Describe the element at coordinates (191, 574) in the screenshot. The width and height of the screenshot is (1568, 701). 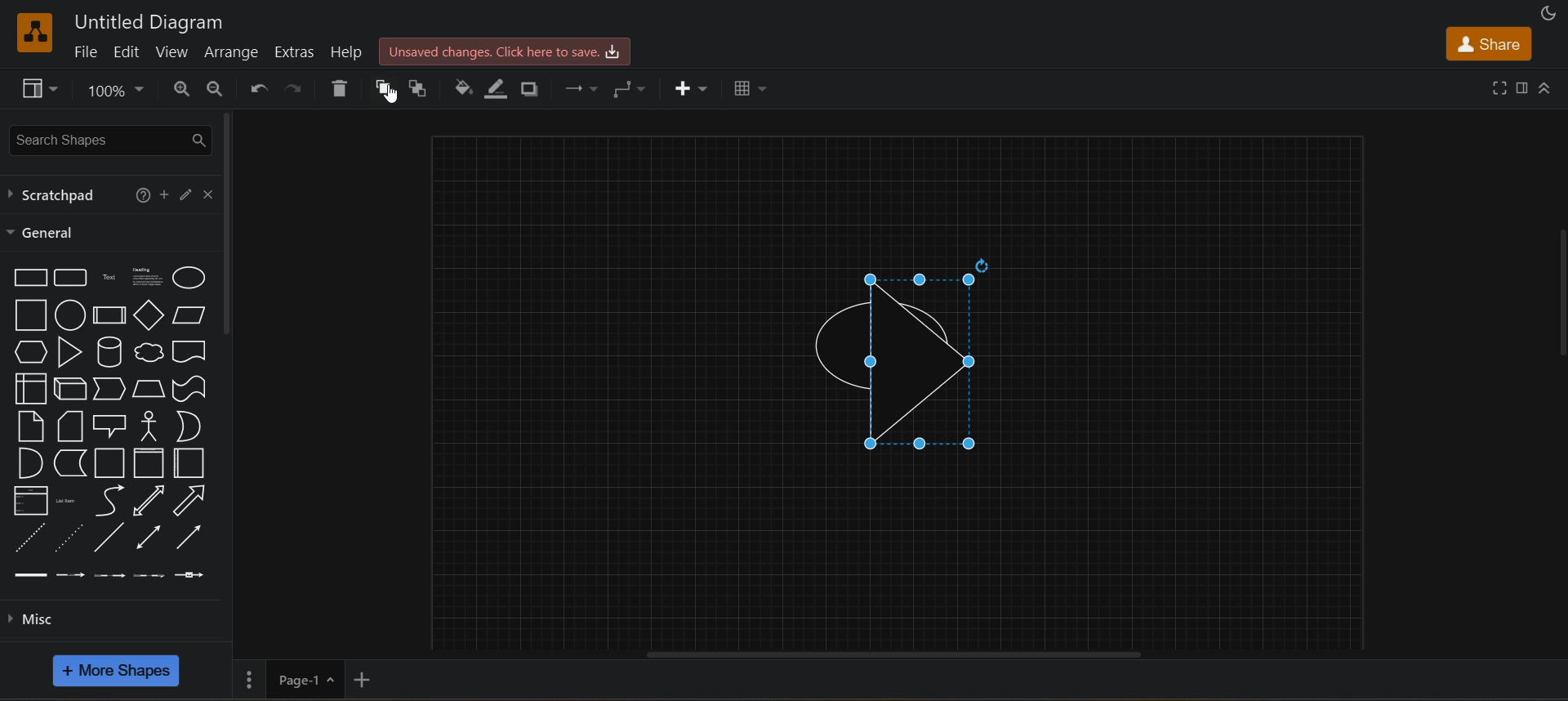
I see `connector with symbol` at that location.